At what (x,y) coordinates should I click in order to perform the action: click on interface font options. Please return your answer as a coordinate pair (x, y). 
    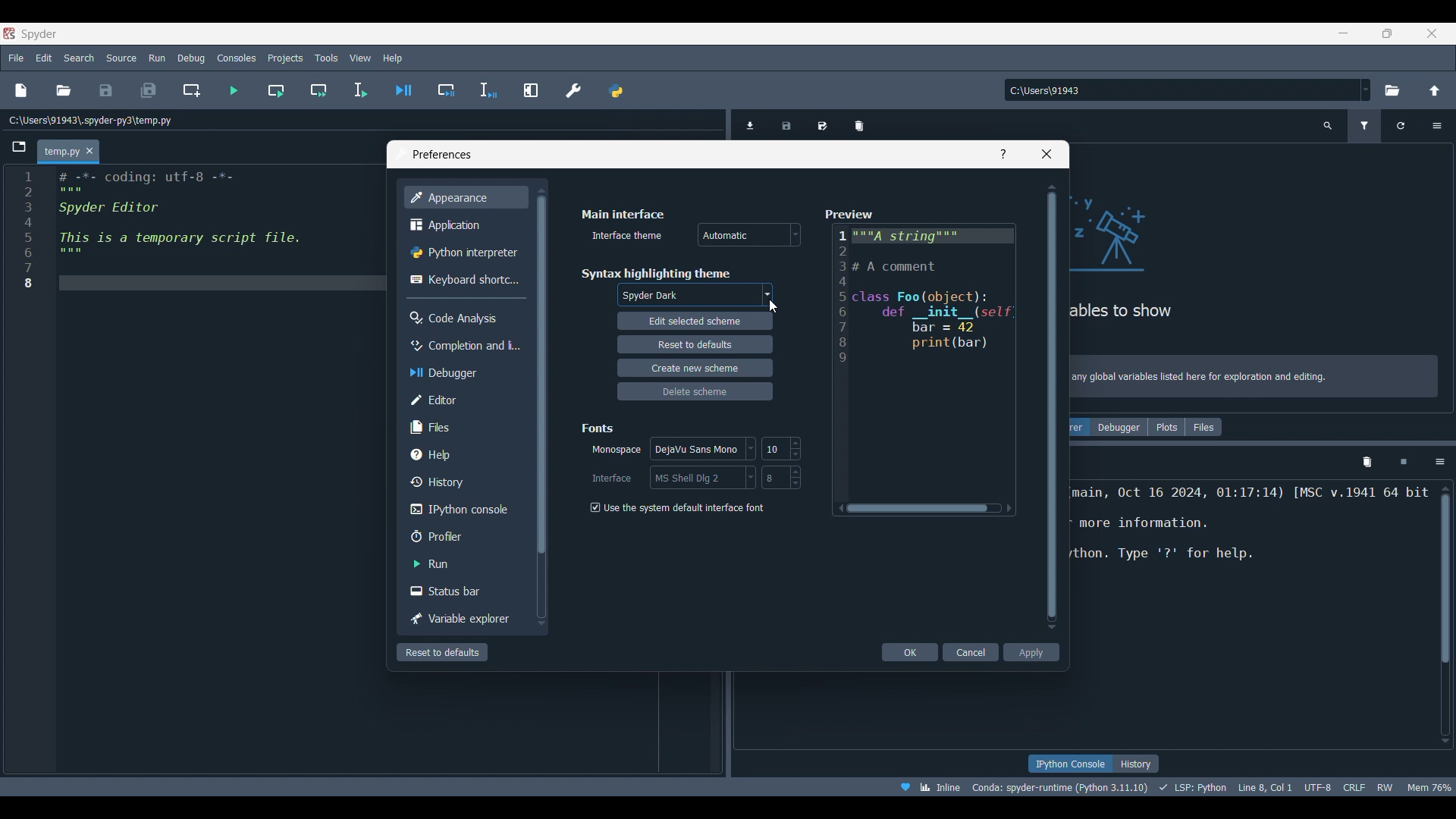
    Looking at the image, I should click on (702, 476).